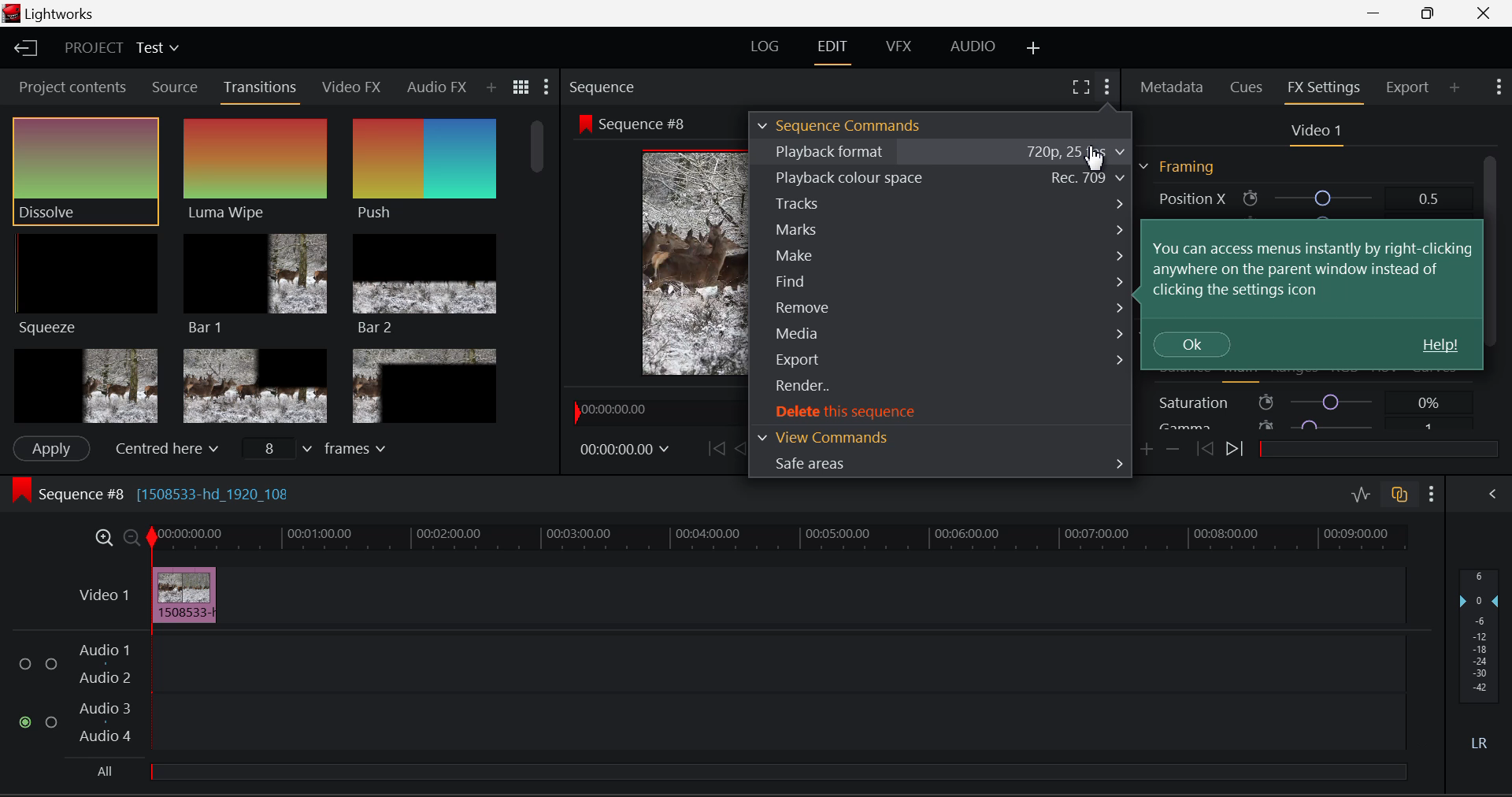 The height and width of the screenshot is (797, 1512). What do you see at coordinates (164, 449) in the screenshot?
I see `Centered here` at bounding box center [164, 449].